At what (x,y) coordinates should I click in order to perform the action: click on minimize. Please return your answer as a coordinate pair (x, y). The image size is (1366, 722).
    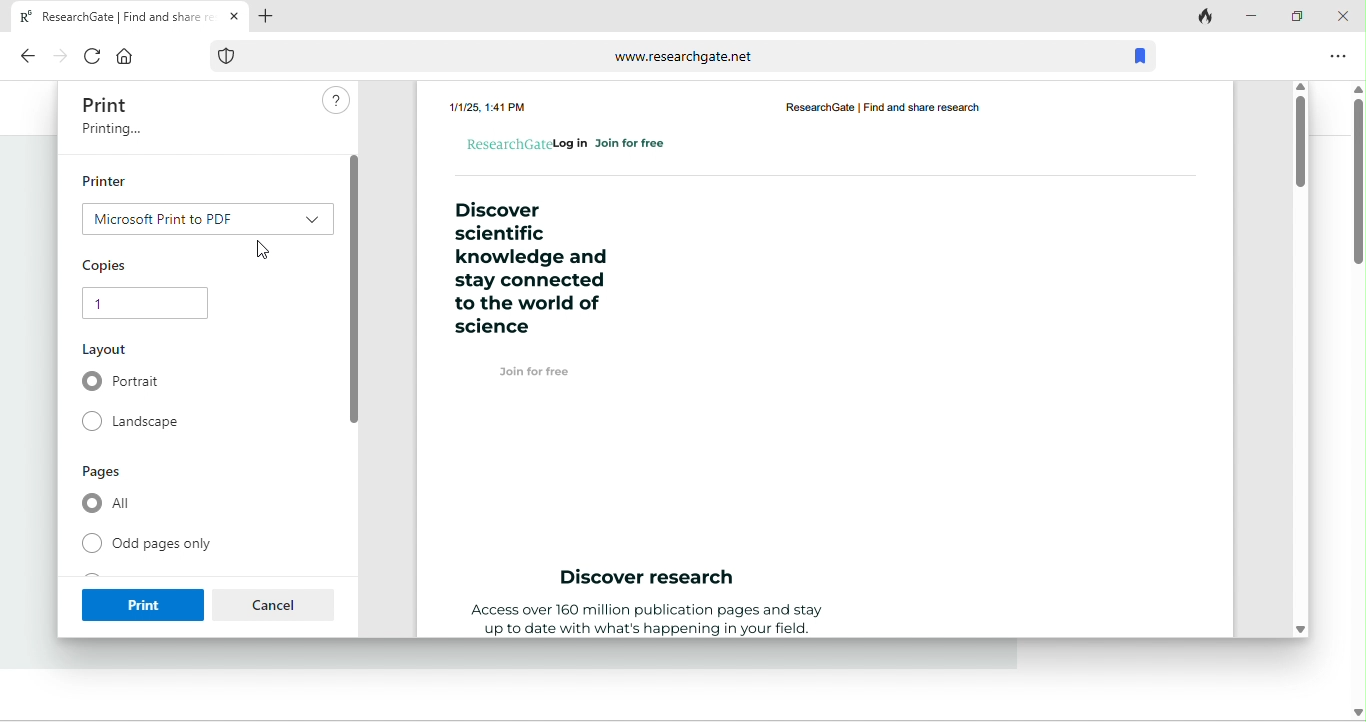
    Looking at the image, I should click on (1250, 15).